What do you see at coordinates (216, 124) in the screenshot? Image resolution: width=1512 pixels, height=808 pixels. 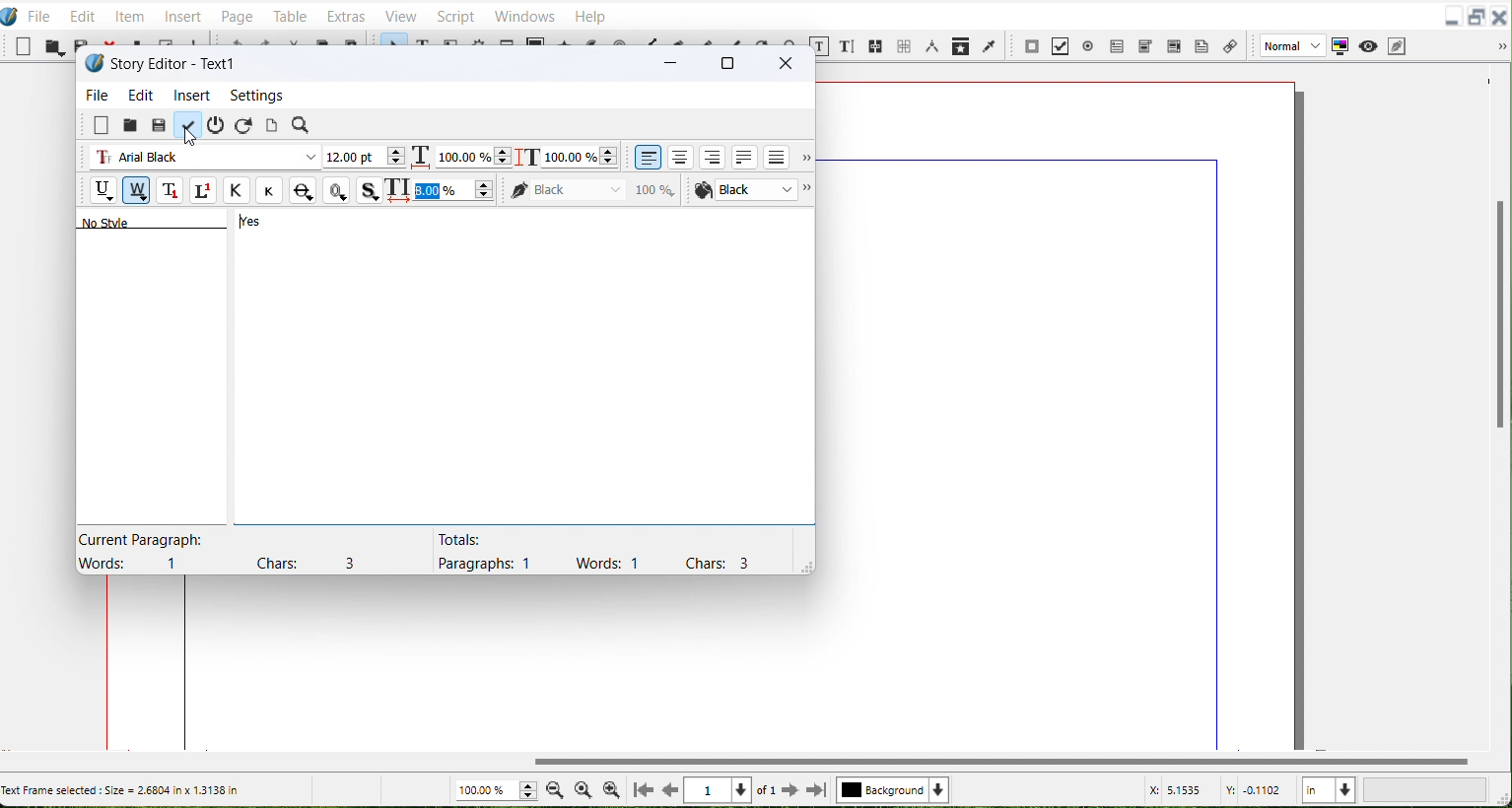 I see `Exit without updating text frame` at bounding box center [216, 124].